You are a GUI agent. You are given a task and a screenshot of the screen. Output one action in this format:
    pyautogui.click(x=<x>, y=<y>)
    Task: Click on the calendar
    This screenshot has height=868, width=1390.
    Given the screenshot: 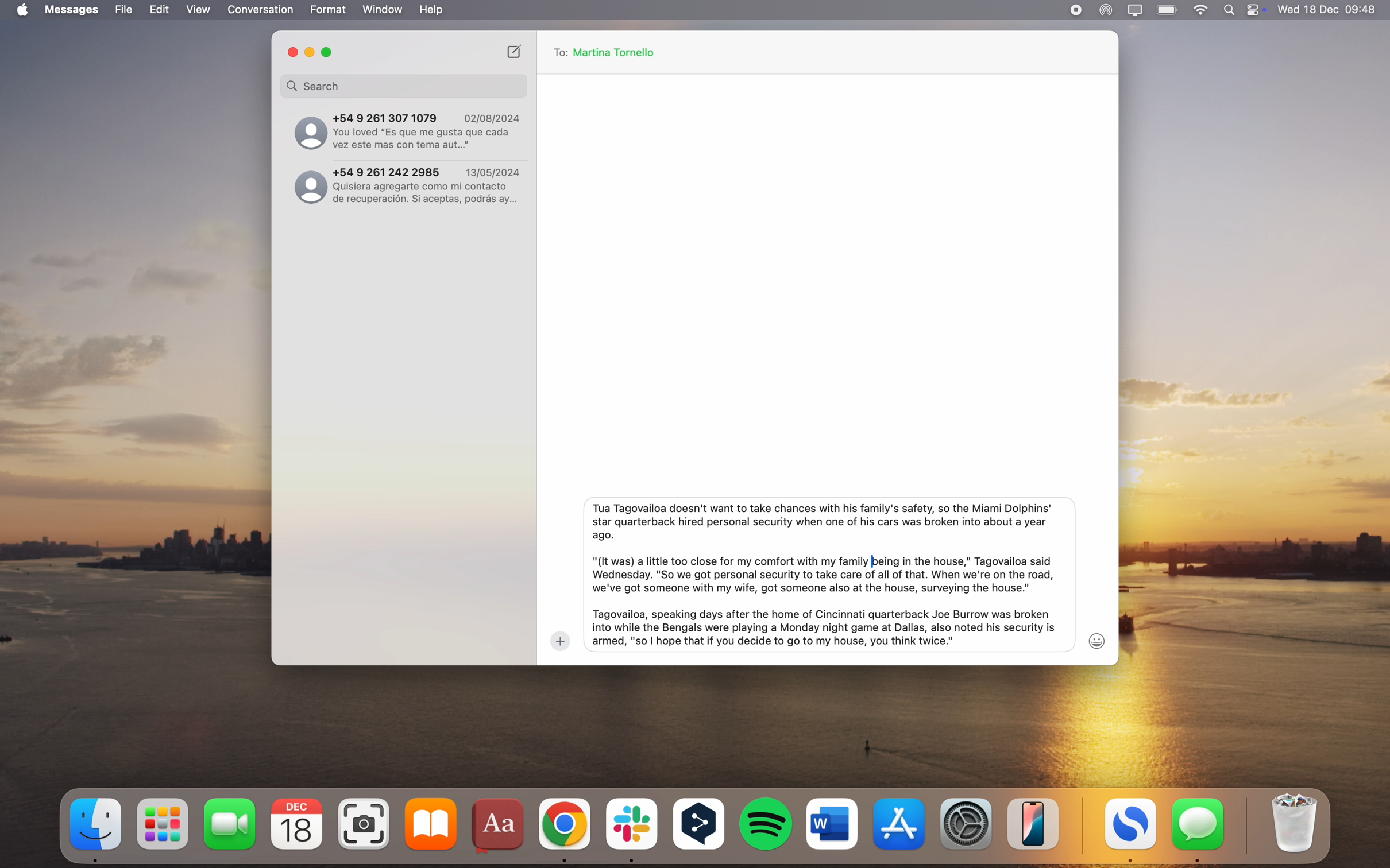 What is the action you would take?
    pyautogui.click(x=297, y=824)
    